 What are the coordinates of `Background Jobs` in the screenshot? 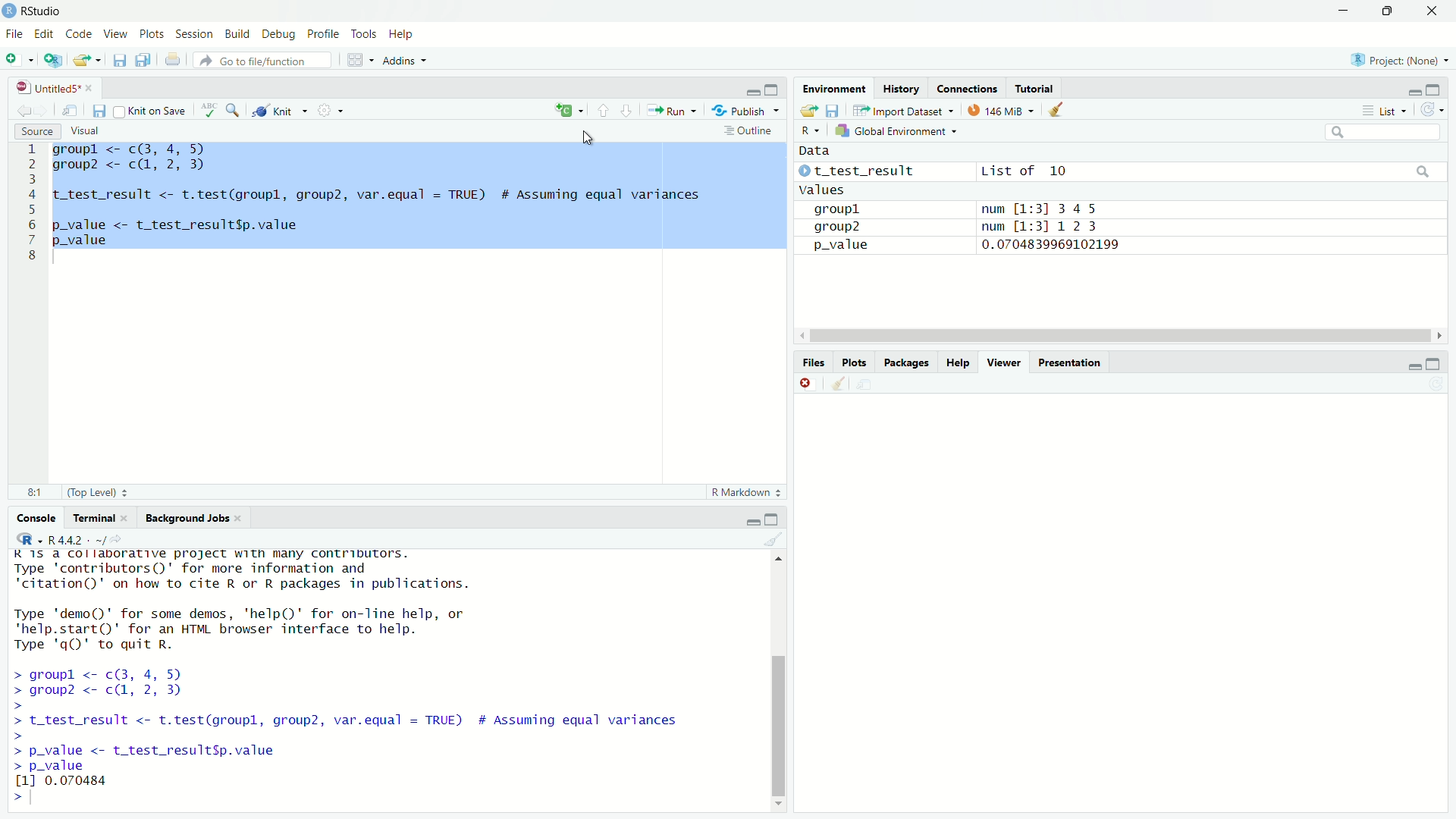 It's located at (193, 519).